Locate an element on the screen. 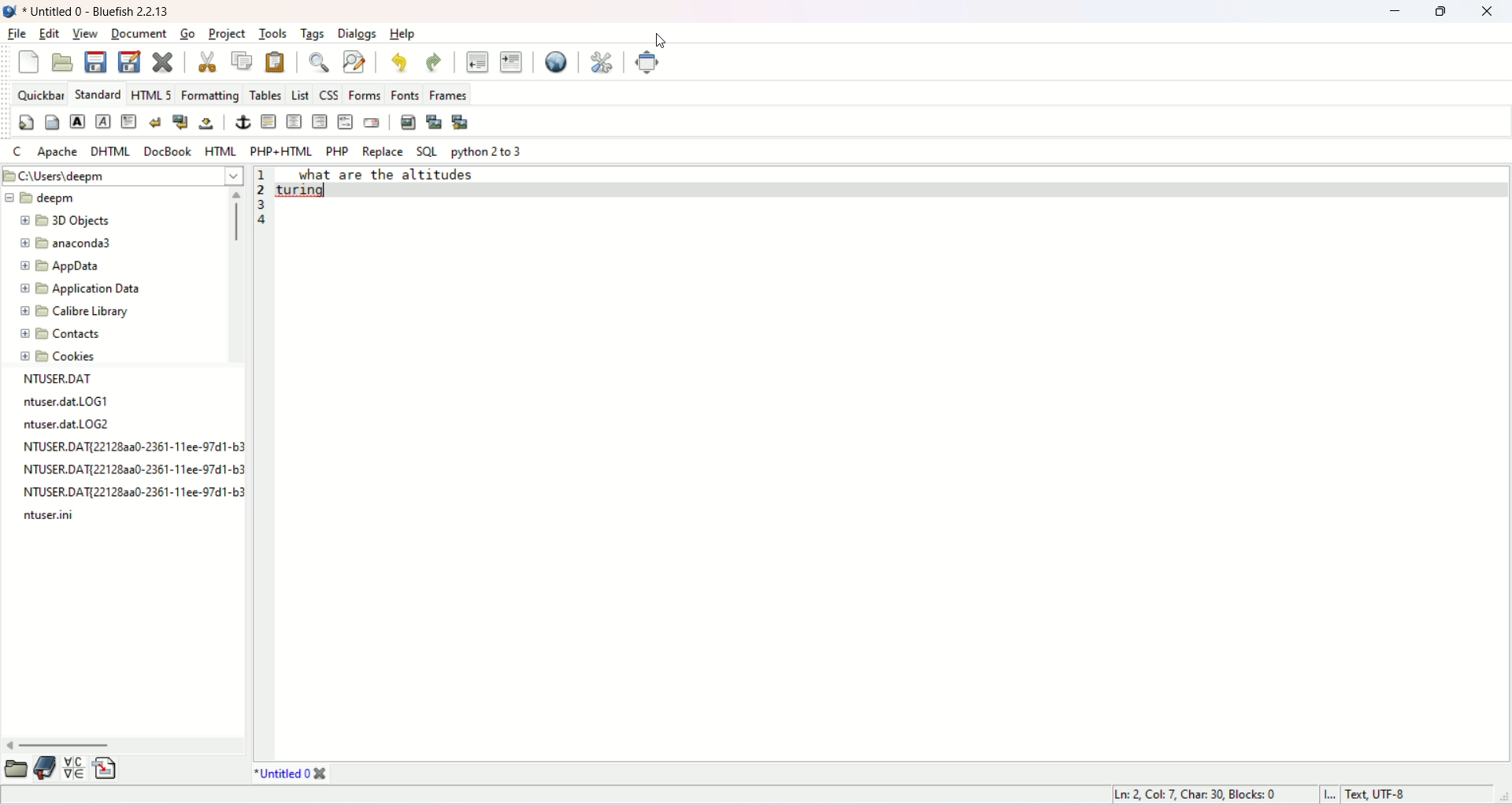 This screenshot has height=805, width=1512. show find bar is located at coordinates (321, 62).